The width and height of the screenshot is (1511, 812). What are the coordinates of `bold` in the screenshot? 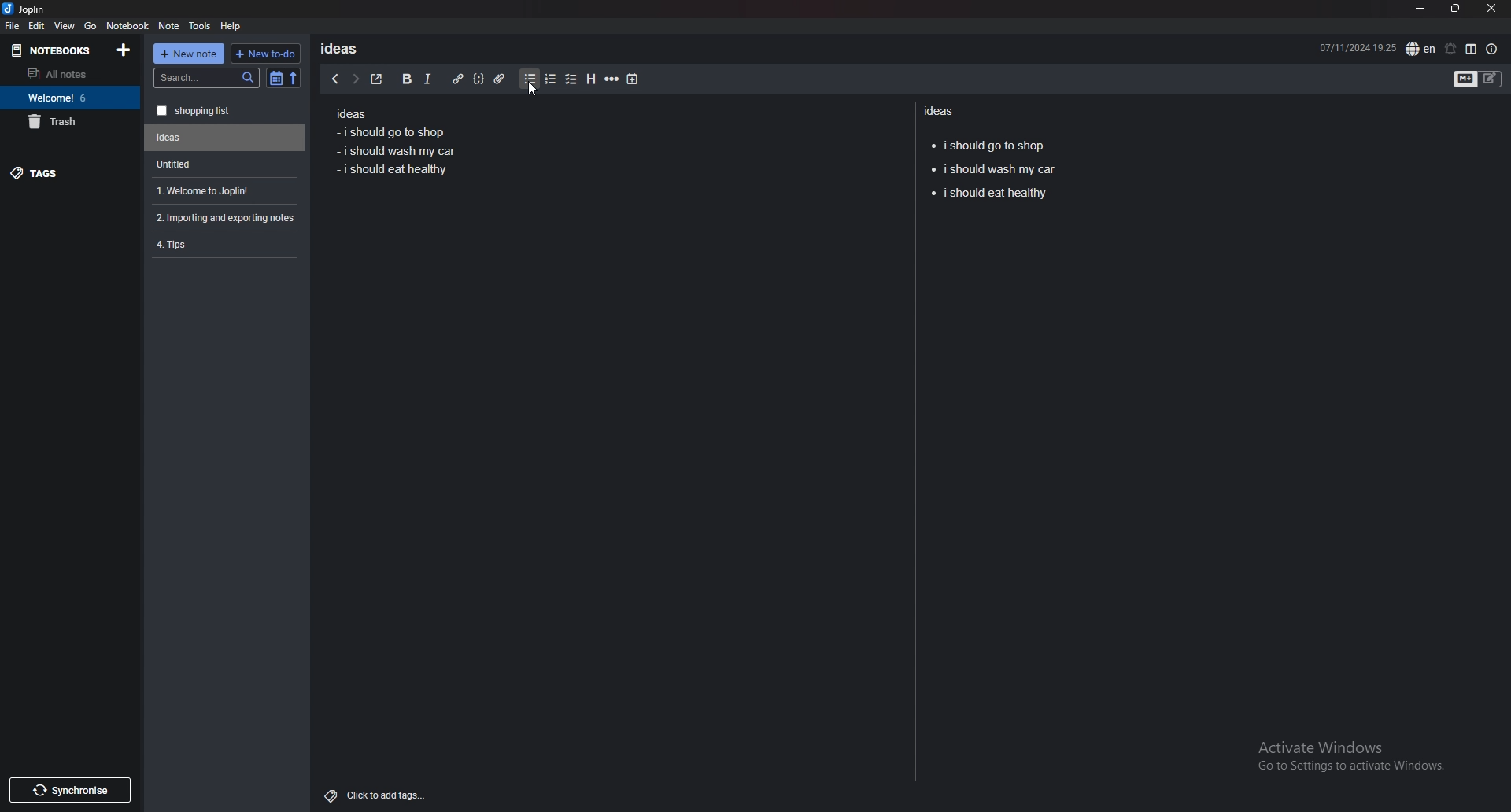 It's located at (405, 79).